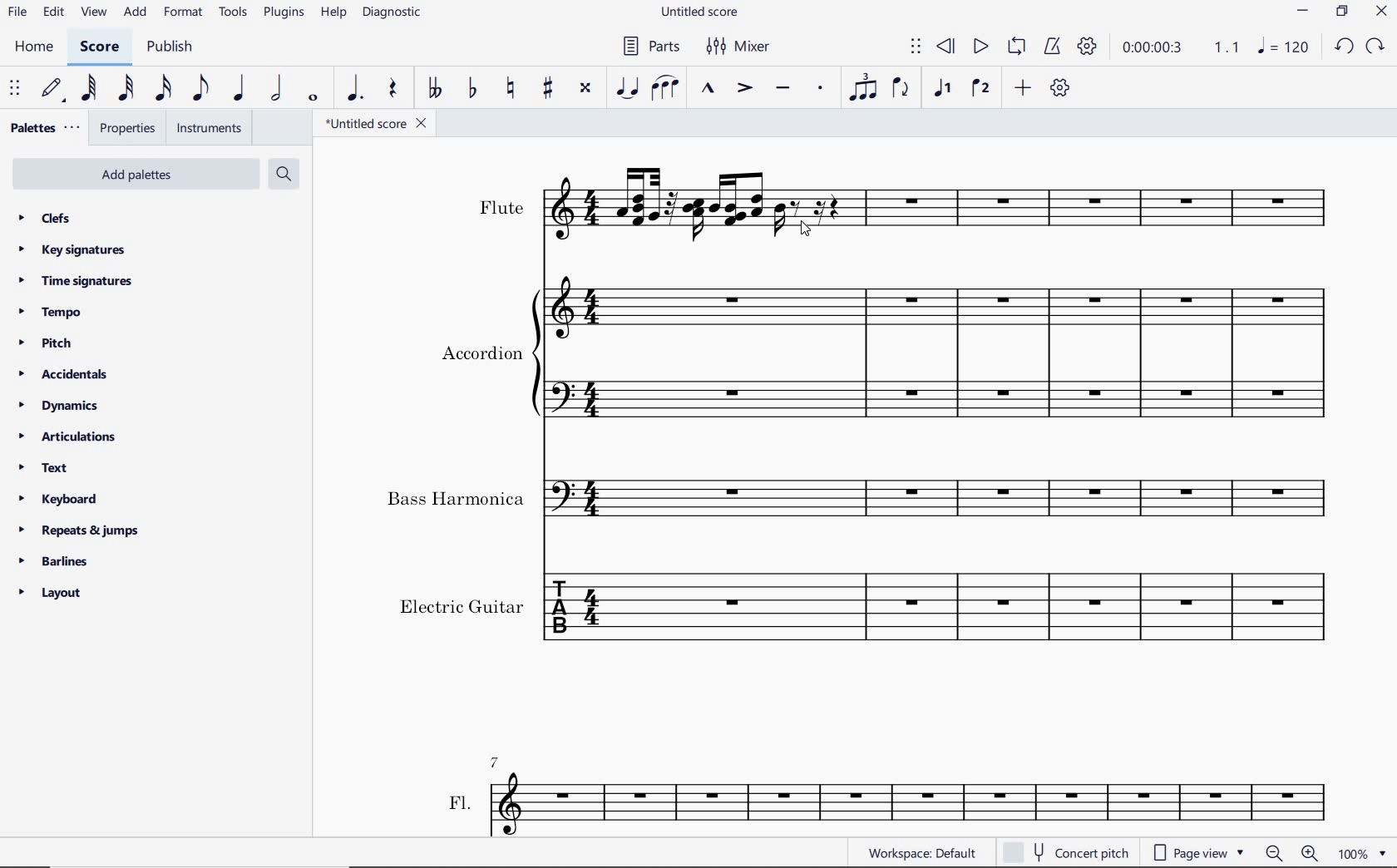 This screenshot has height=868, width=1397. Describe the element at coordinates (550, 89) in the screenshot. I see `toggle sharp` at that location.